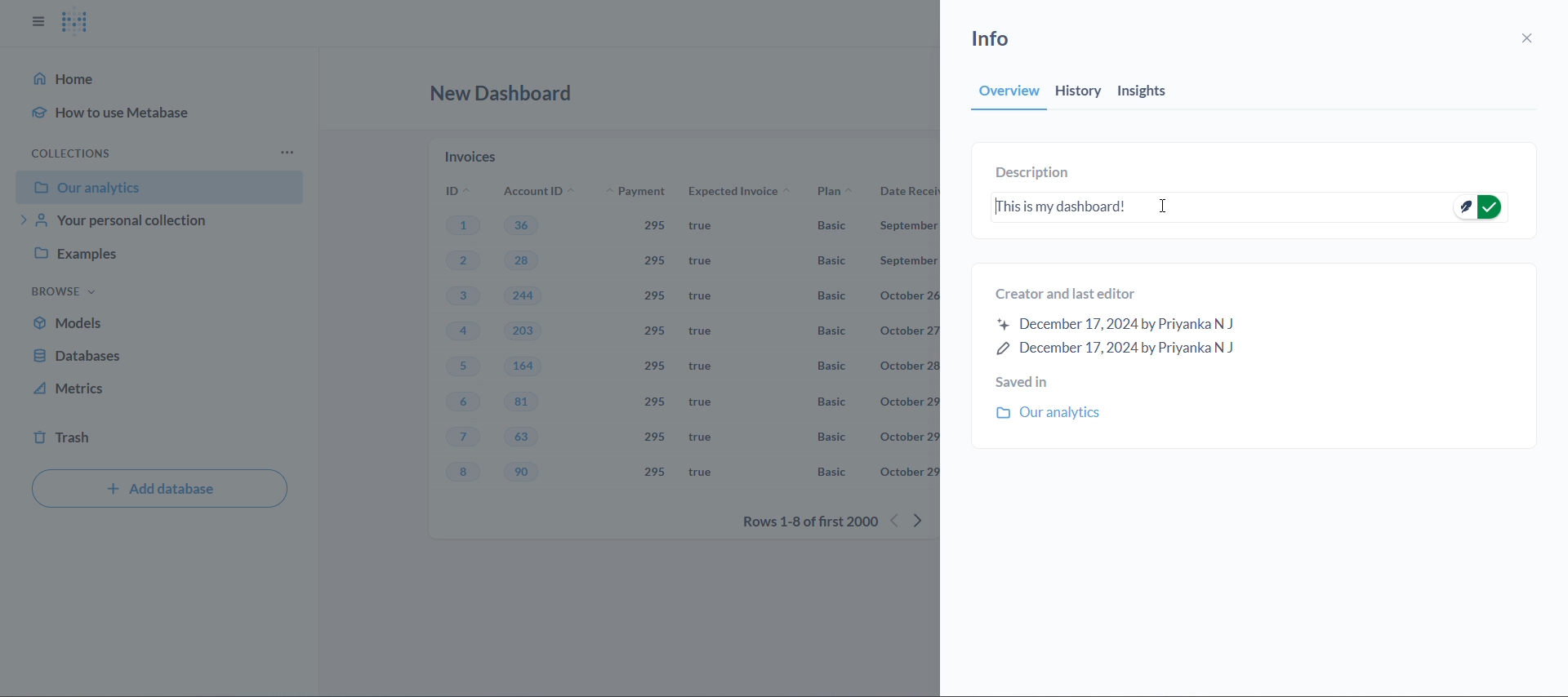 Image resolution: width=1568 pixels, height=697 pixels. Describe the element at coordinates (698, 437) in the screenshot. I see `true` at that location.